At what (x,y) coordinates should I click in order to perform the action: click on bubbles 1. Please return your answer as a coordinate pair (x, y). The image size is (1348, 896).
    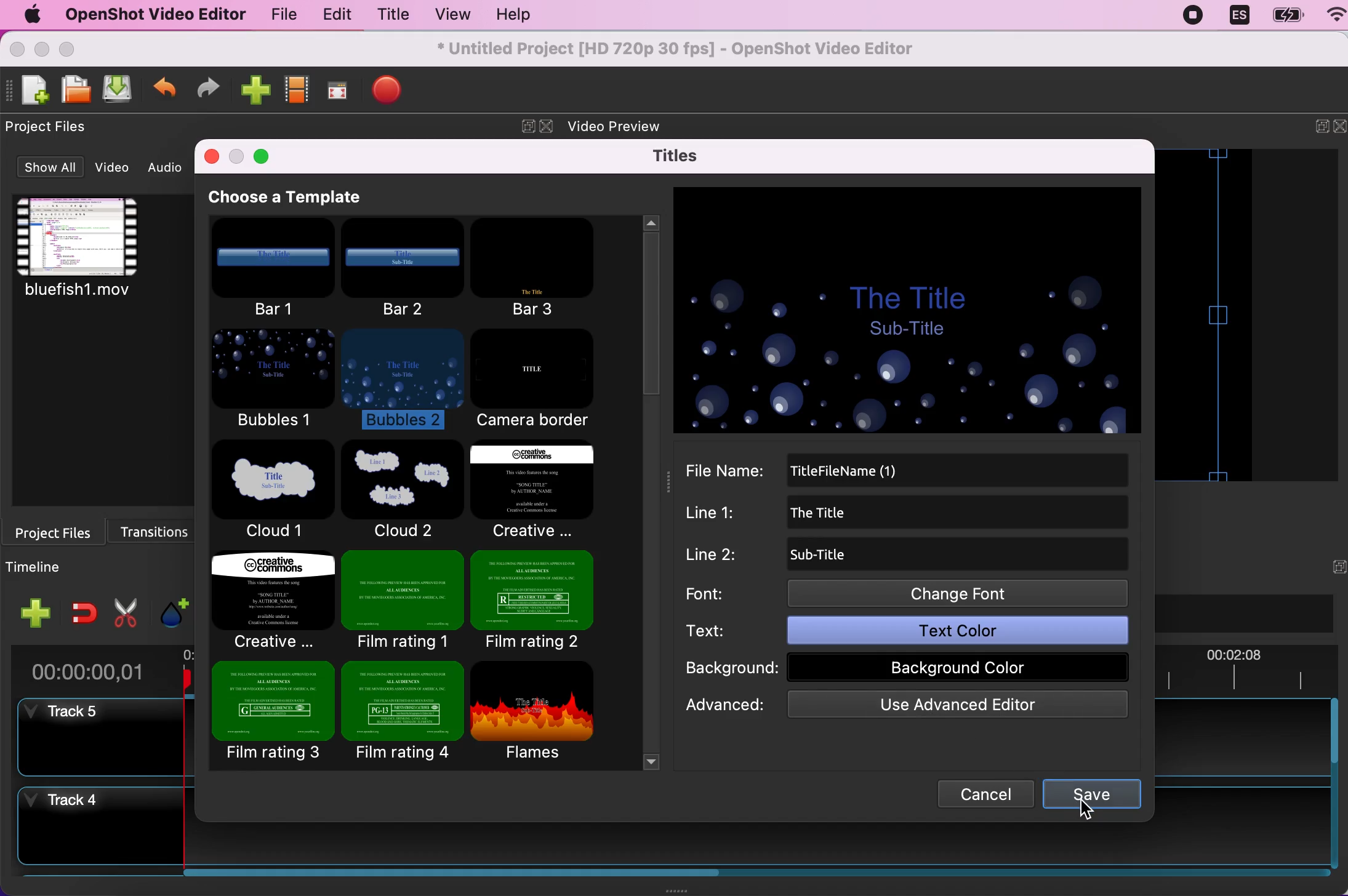
    Looking at the image, I should click on (274, 382).